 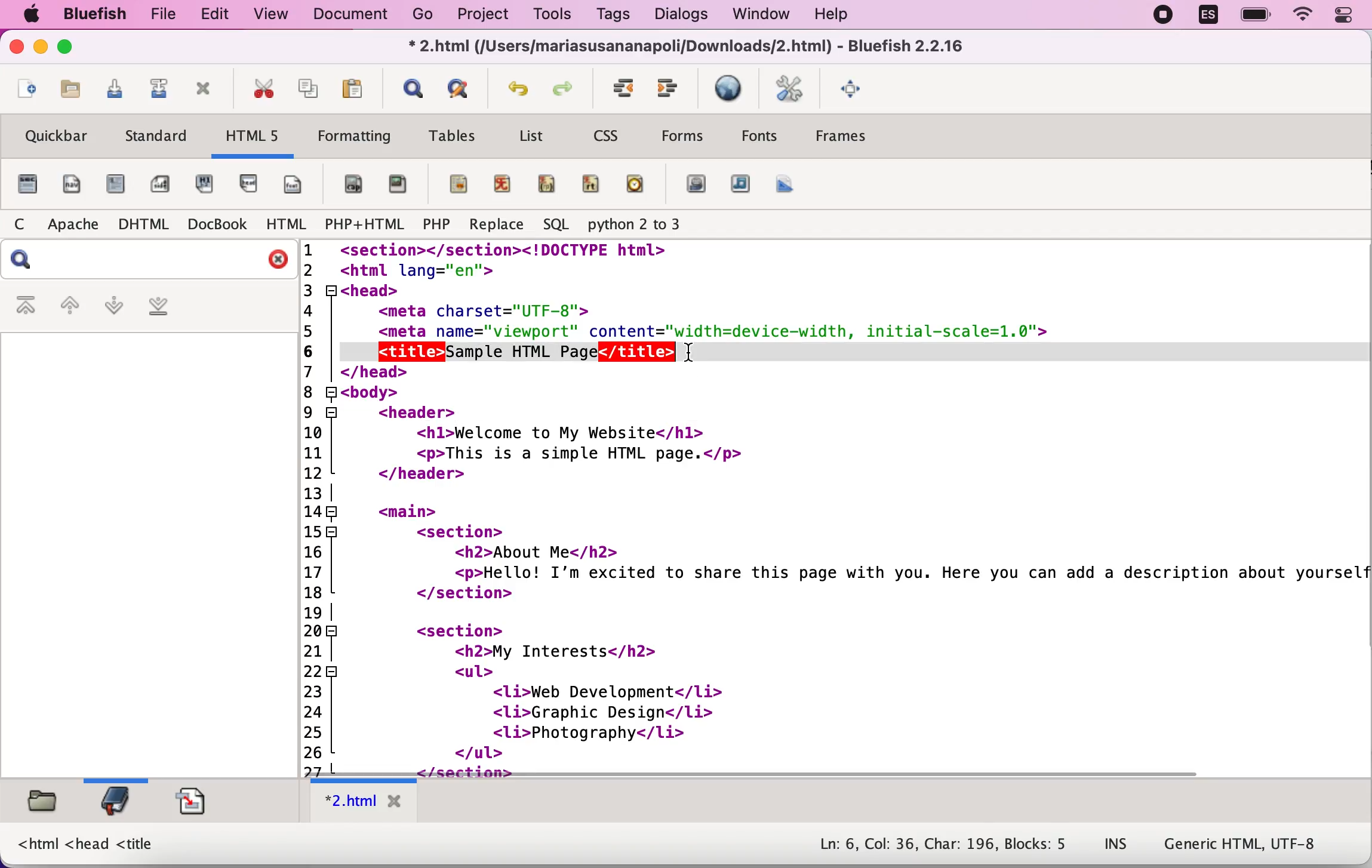 I want to click on hgroup, so click(x=212, y=183).